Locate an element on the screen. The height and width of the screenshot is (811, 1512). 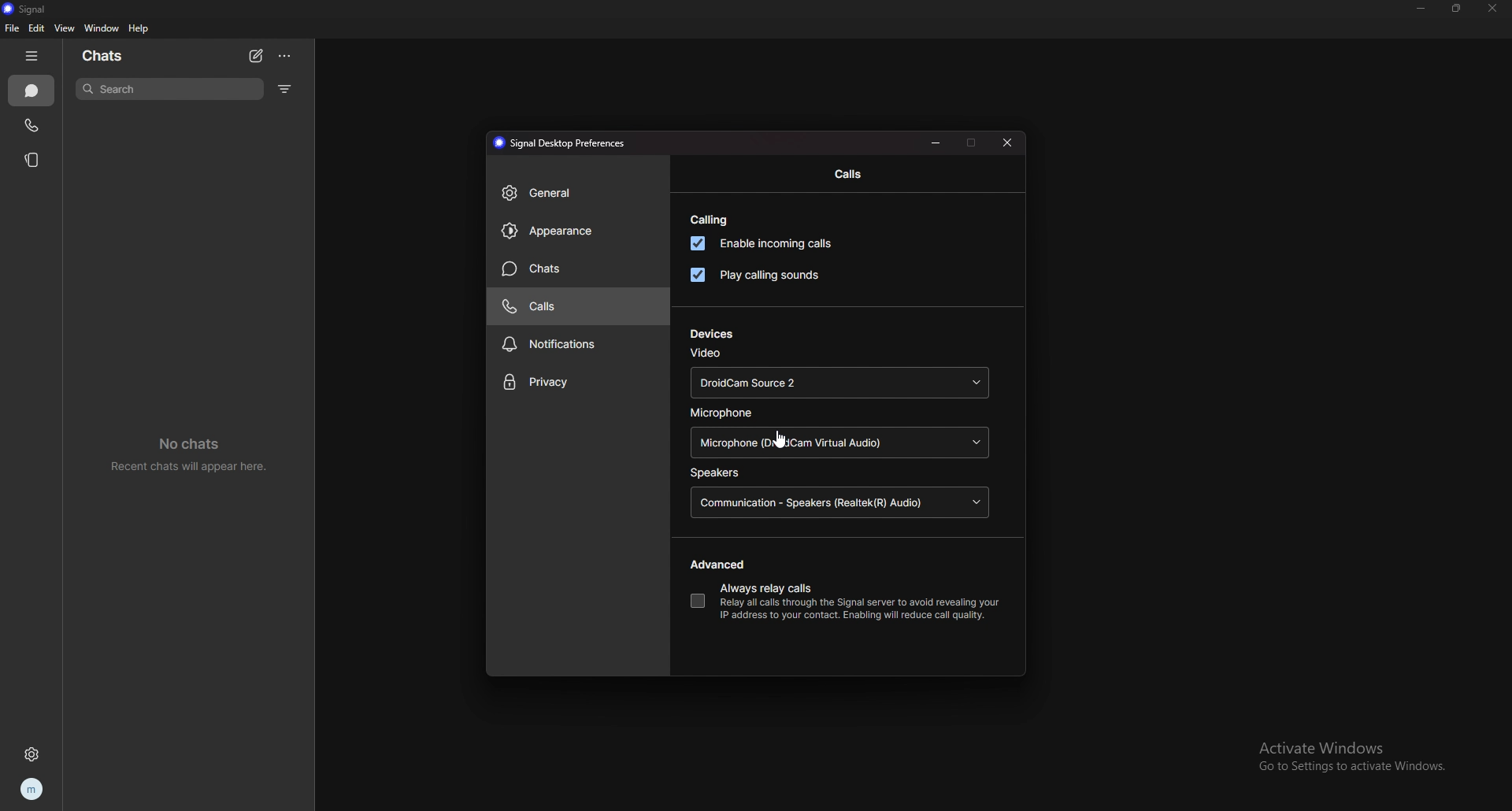
resize is located at coordinates (1457, 8).